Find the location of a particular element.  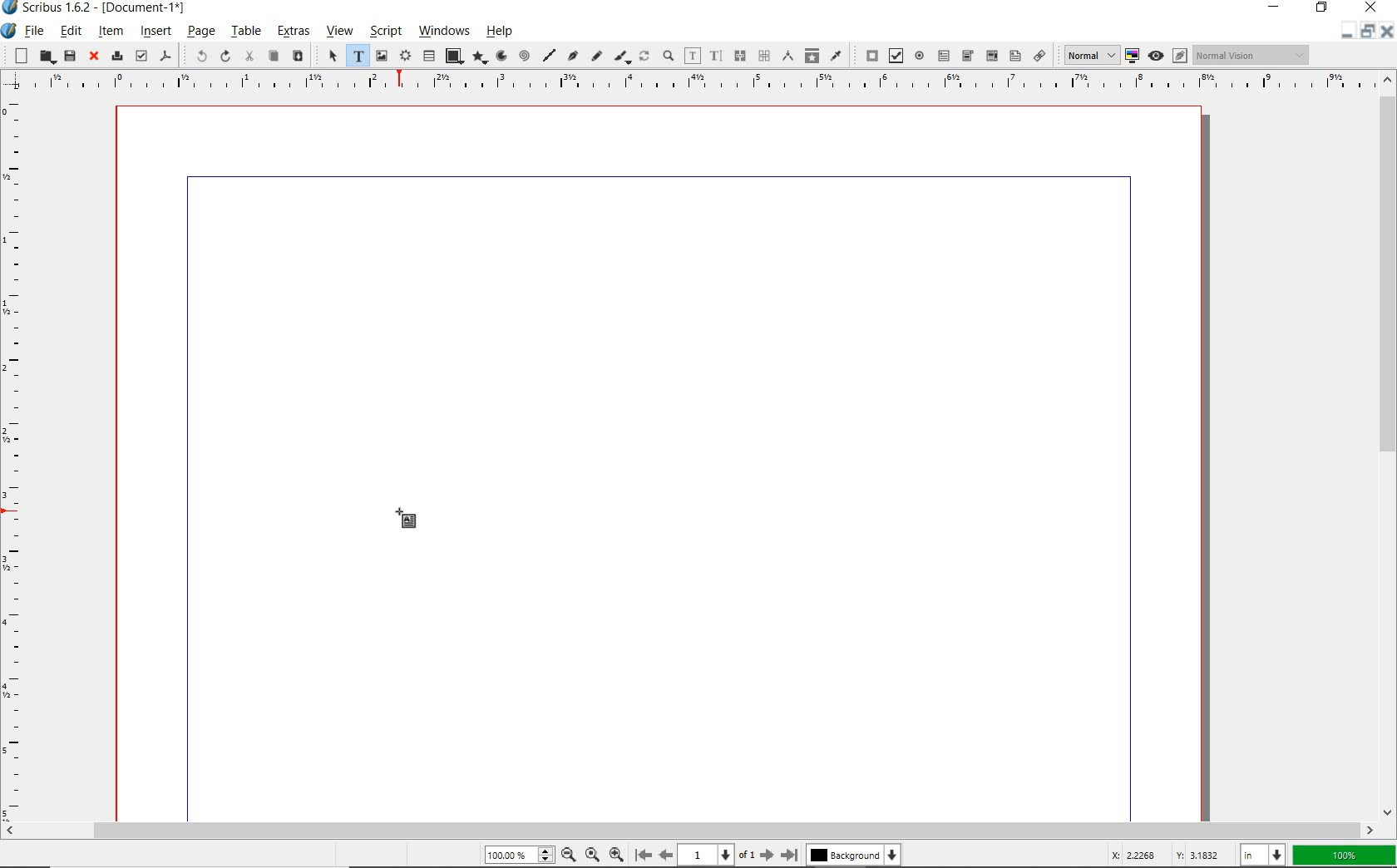

pdf push button is located at coordinates (868, 56).